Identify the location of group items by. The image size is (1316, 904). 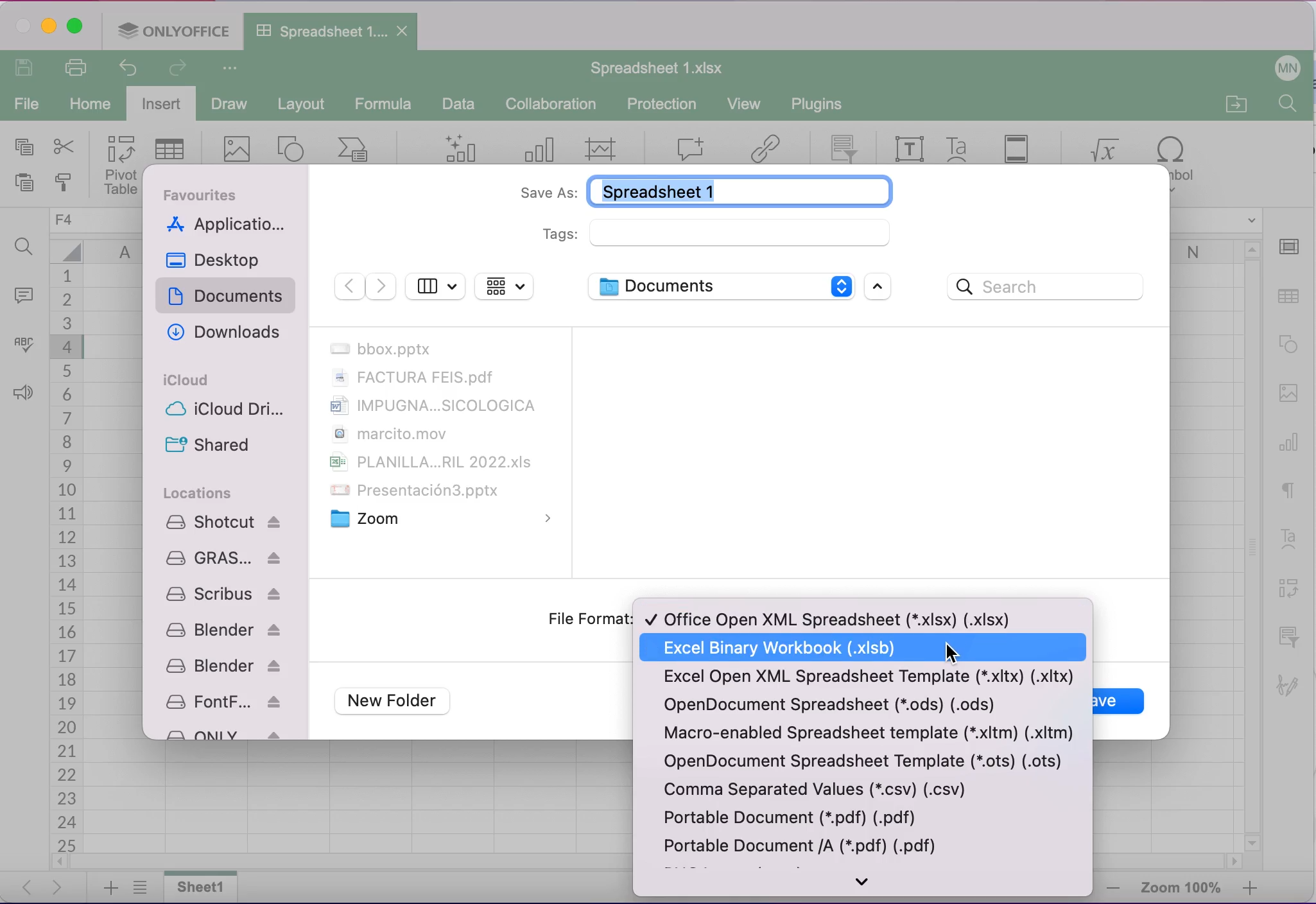
(505, 286).